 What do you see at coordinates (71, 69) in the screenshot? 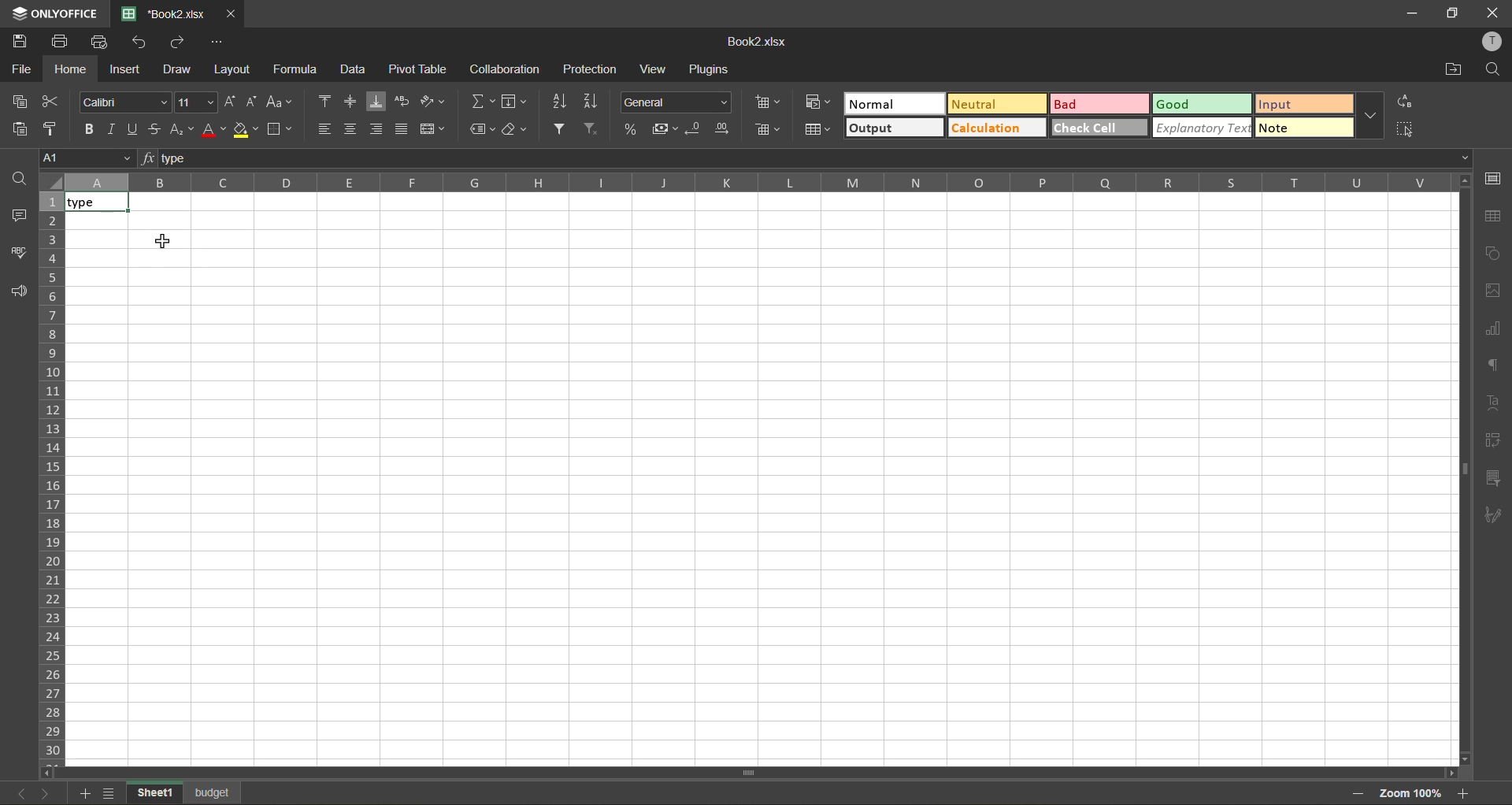
I see `home` at bounding box center [71, 69].